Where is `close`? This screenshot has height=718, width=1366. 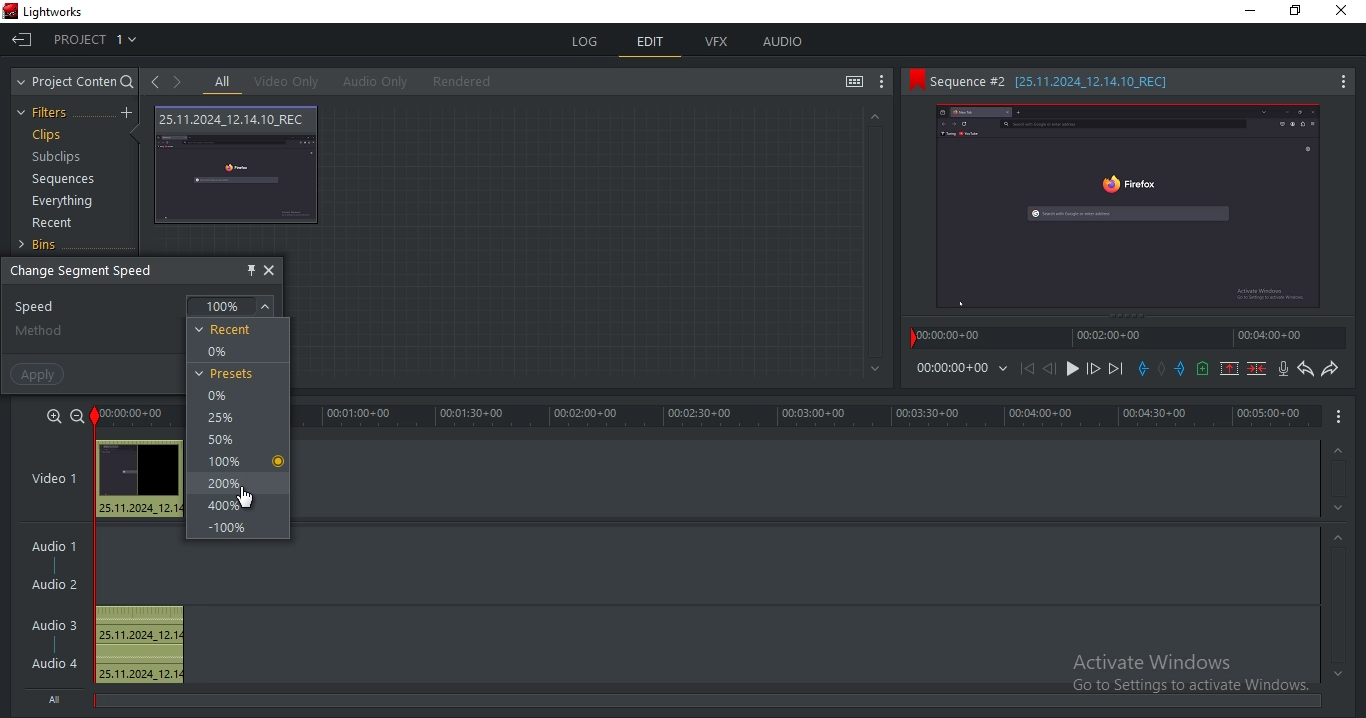
close is located at coordinates (270, 270).